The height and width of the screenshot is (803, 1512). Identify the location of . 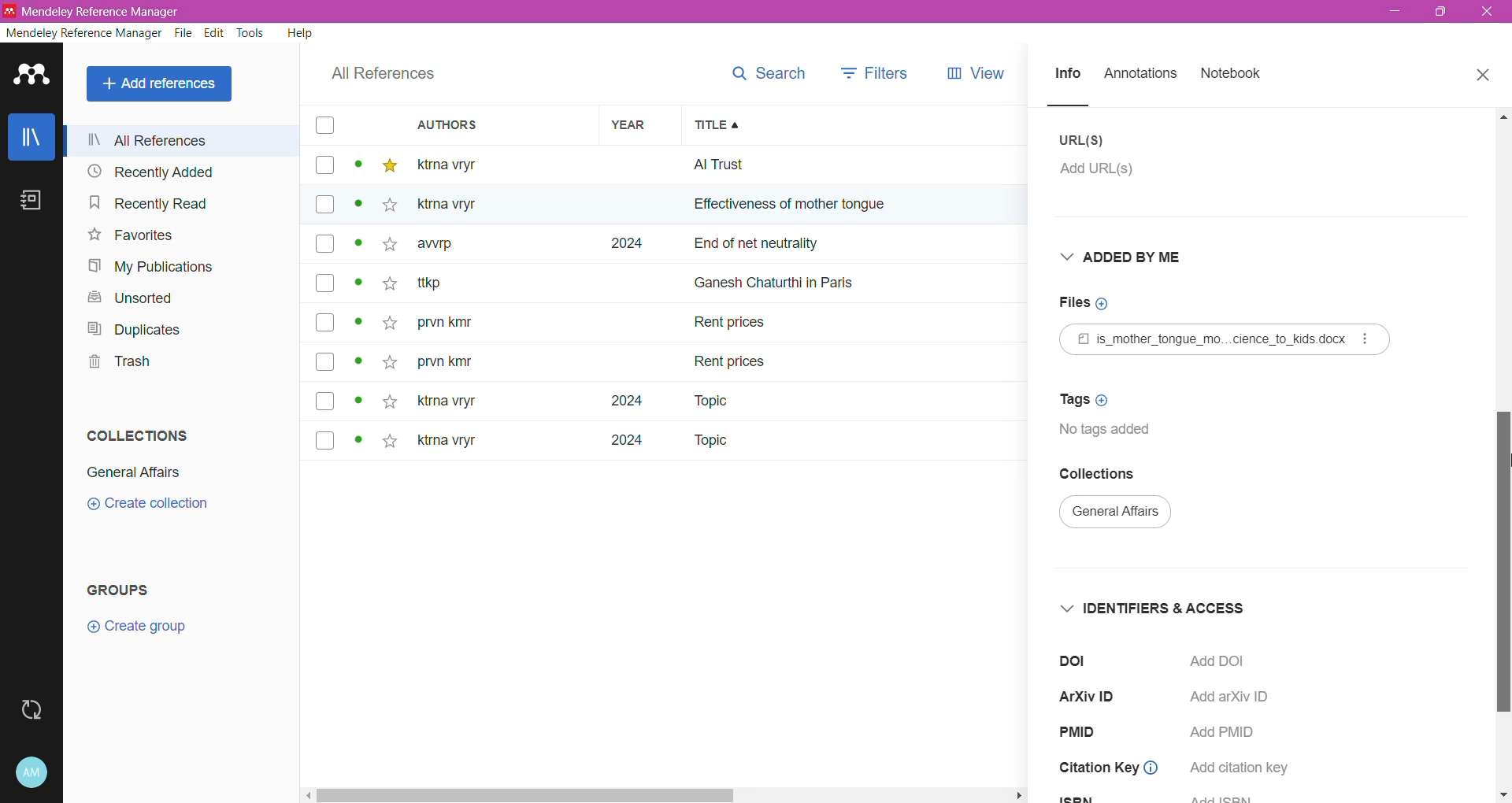
(1077, 661).